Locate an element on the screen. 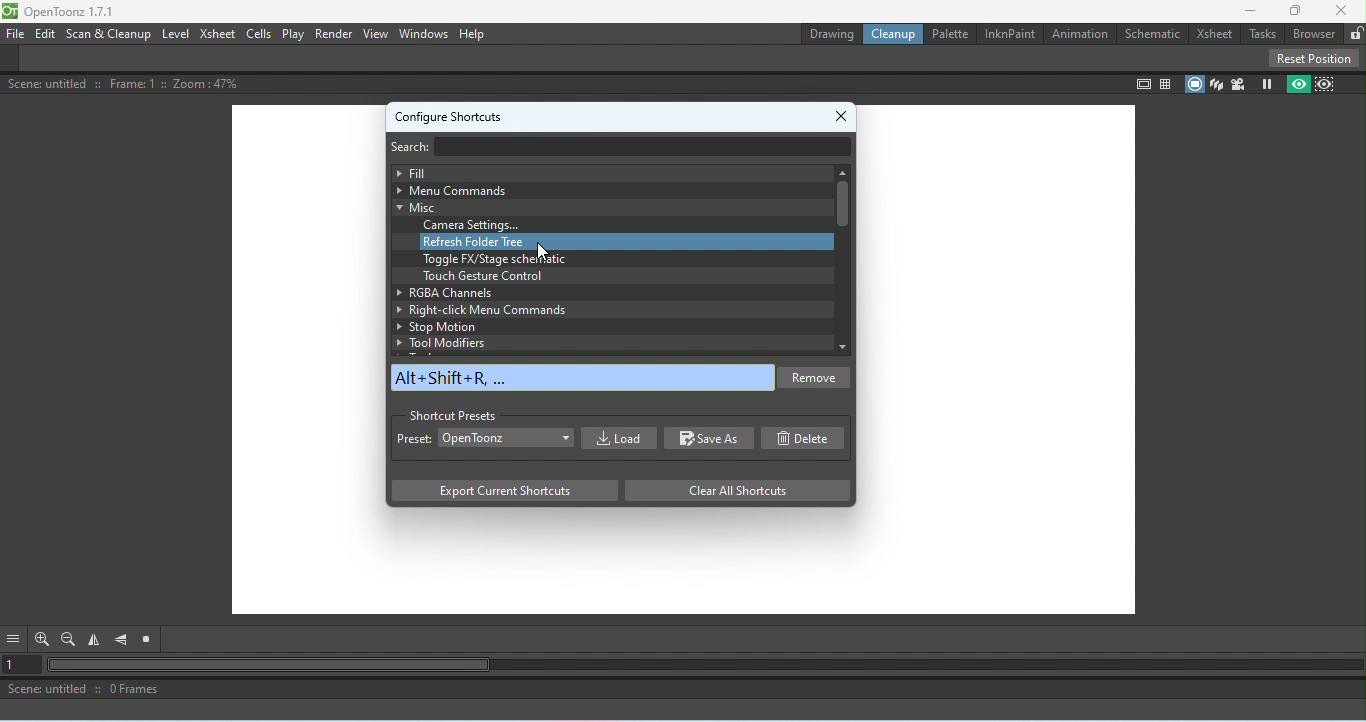 Image resolution: width=1366 pixels, height=722 pixels. Right-click menu commands is located at coordinates (603, 310).